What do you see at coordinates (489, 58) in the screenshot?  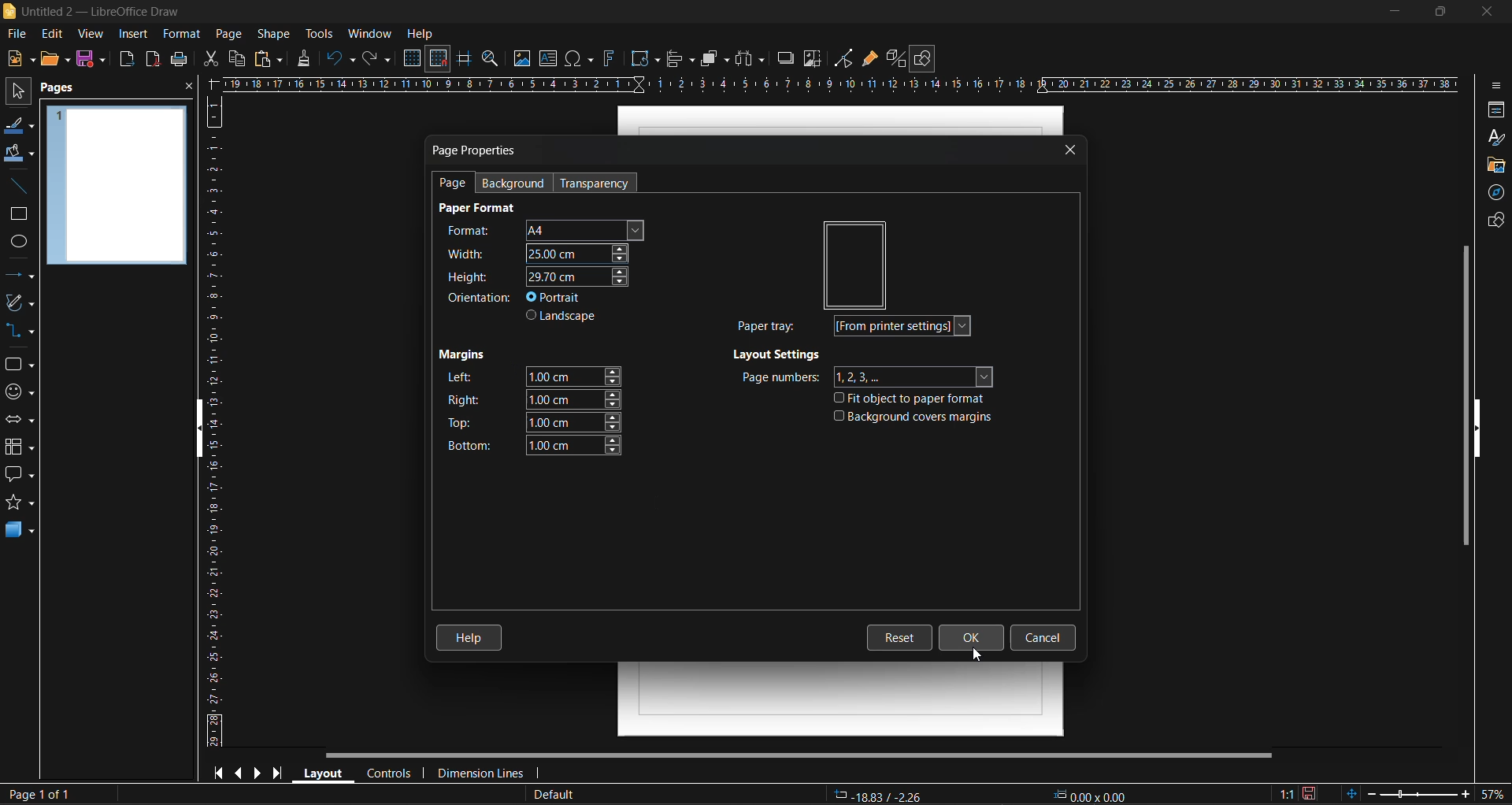 I see `zoom and pan` at bounding box center [489, 58].